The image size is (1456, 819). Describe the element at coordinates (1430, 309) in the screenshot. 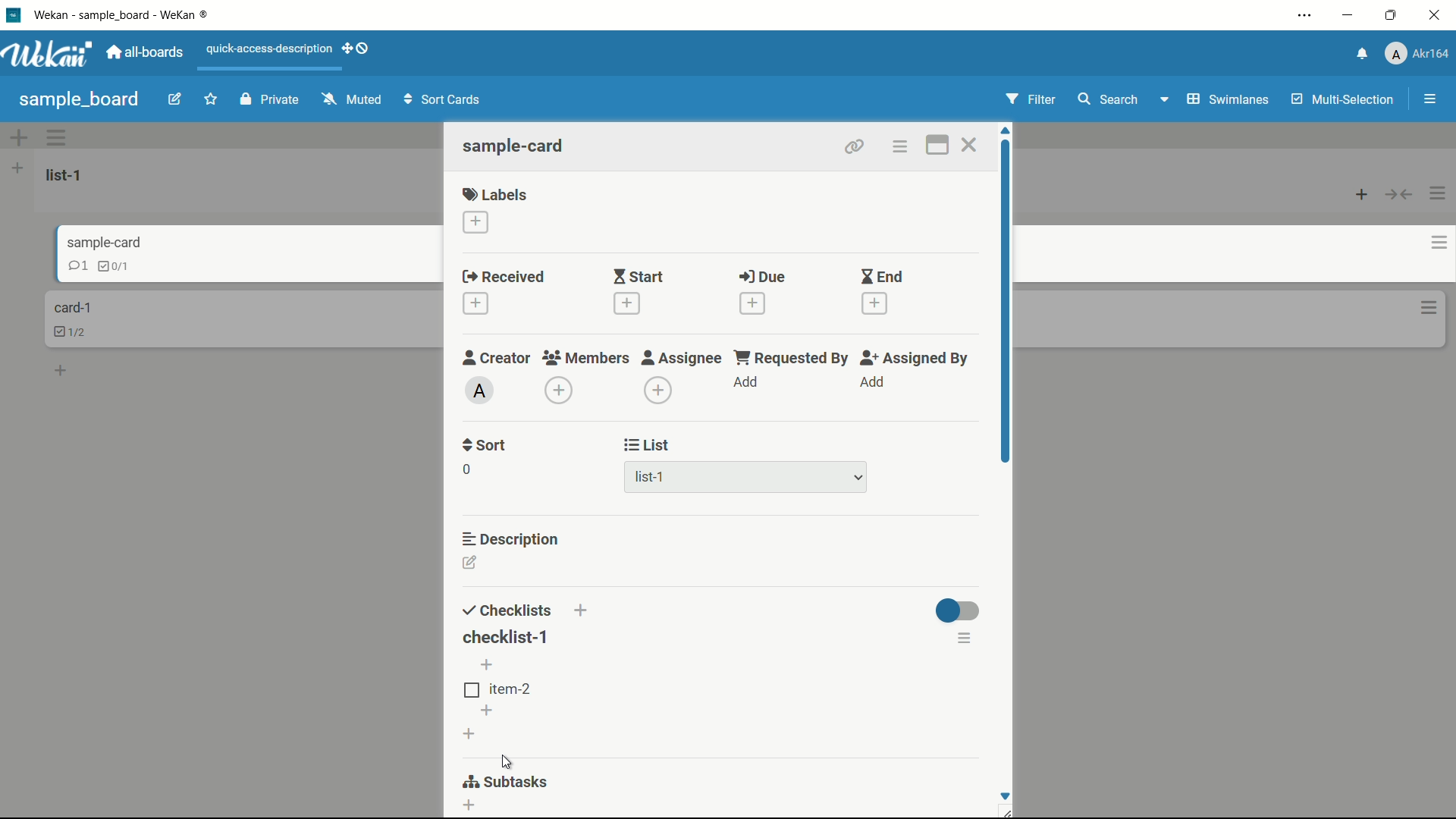

I see `card actions` at that location.